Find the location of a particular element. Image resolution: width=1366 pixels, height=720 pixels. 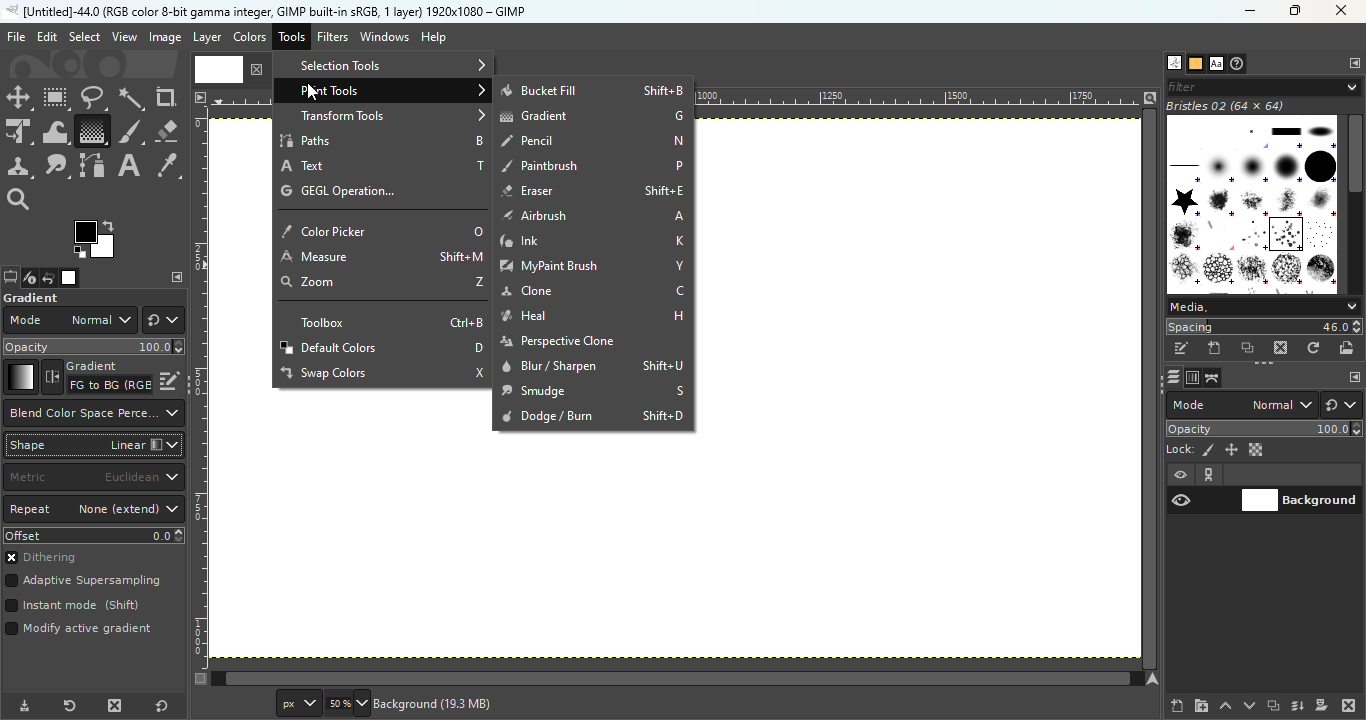

Clone is located at coordinates (590, 293).